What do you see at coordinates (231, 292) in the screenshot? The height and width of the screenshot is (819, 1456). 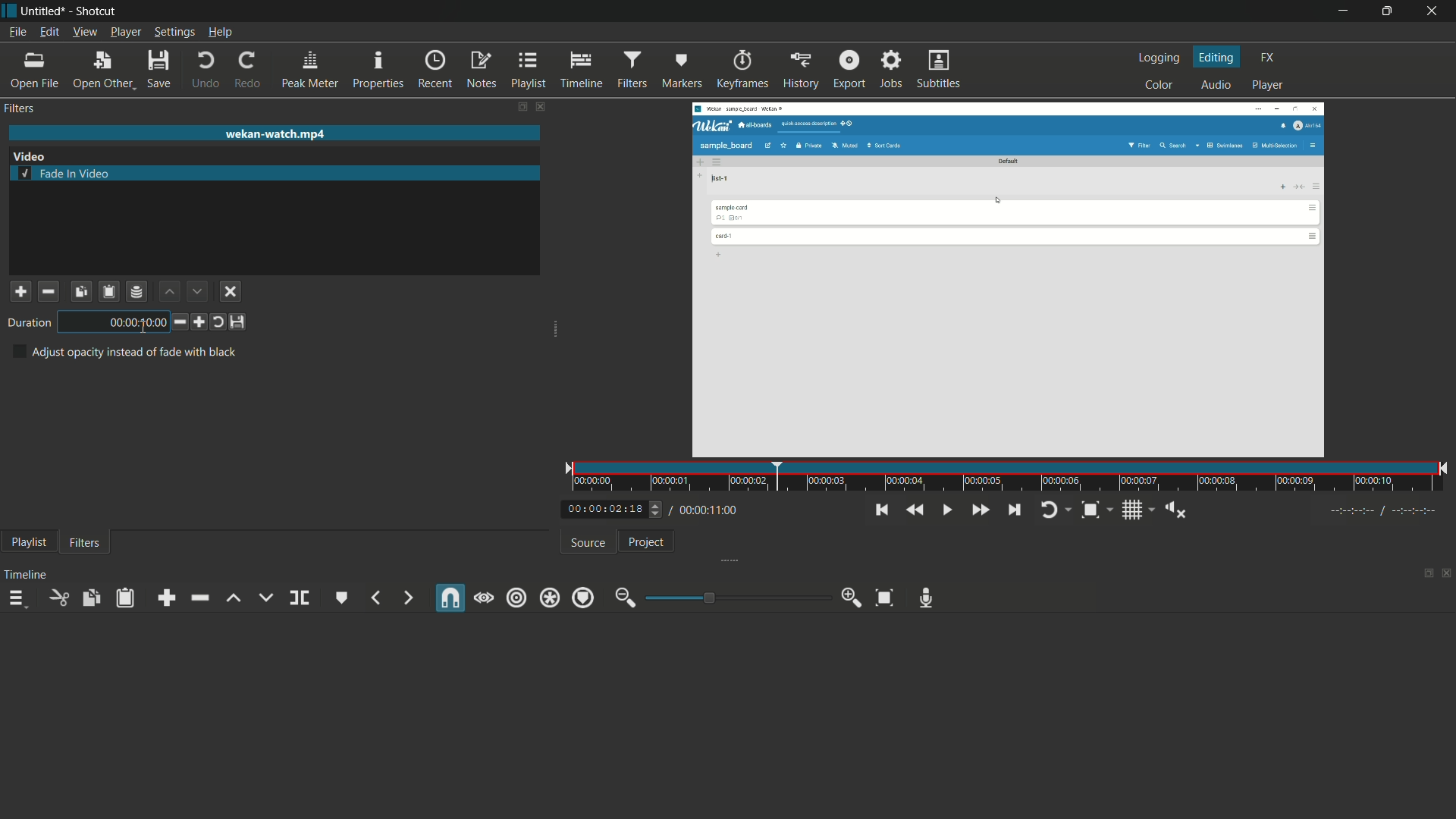 I see `deselect the filter` at bounding box center [231, 292].